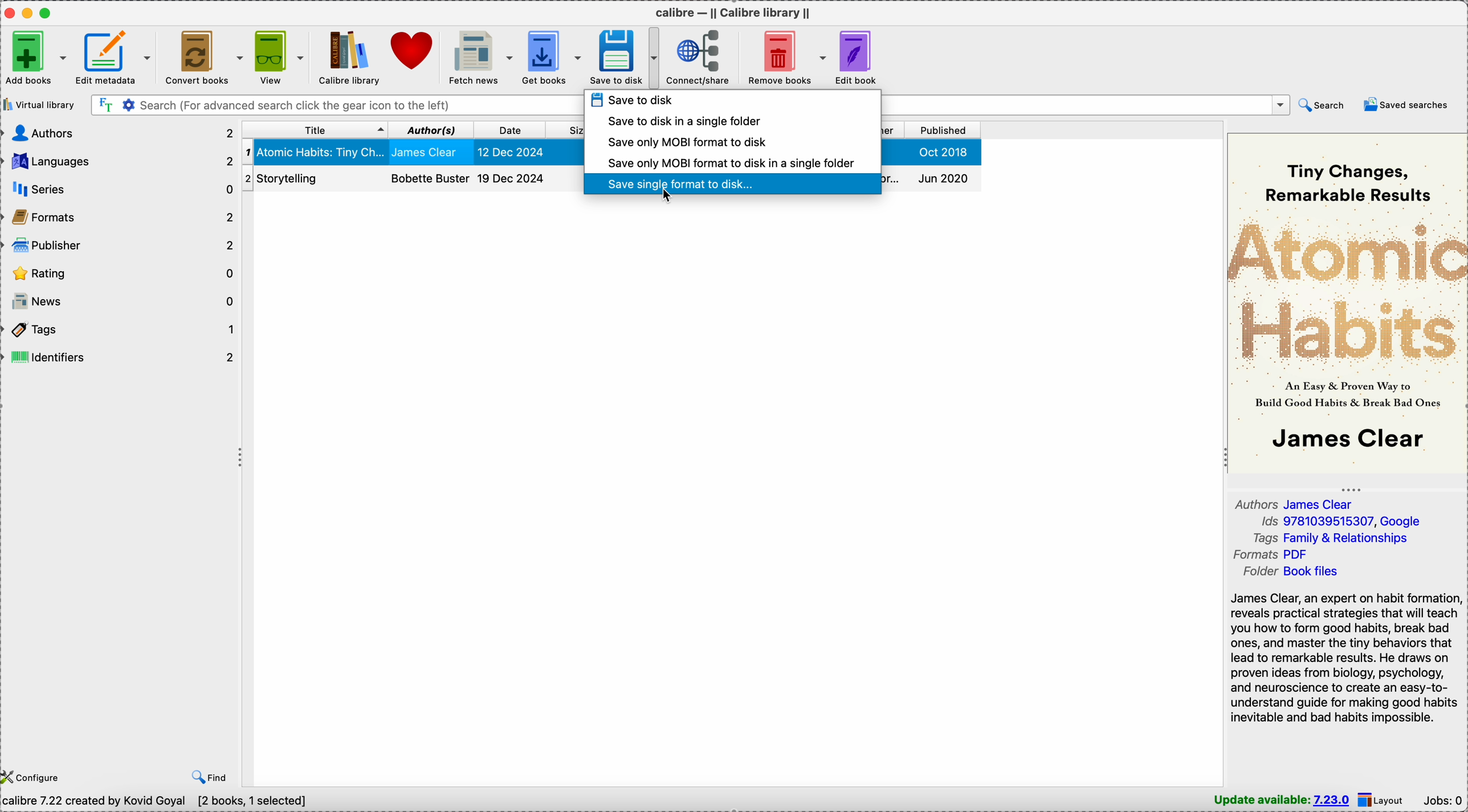 This screenshot has height=812, width=1468. What do you see at coordinates (122, 246) in the screenshot?
I see `publisher` at bounding box center [122, 246].